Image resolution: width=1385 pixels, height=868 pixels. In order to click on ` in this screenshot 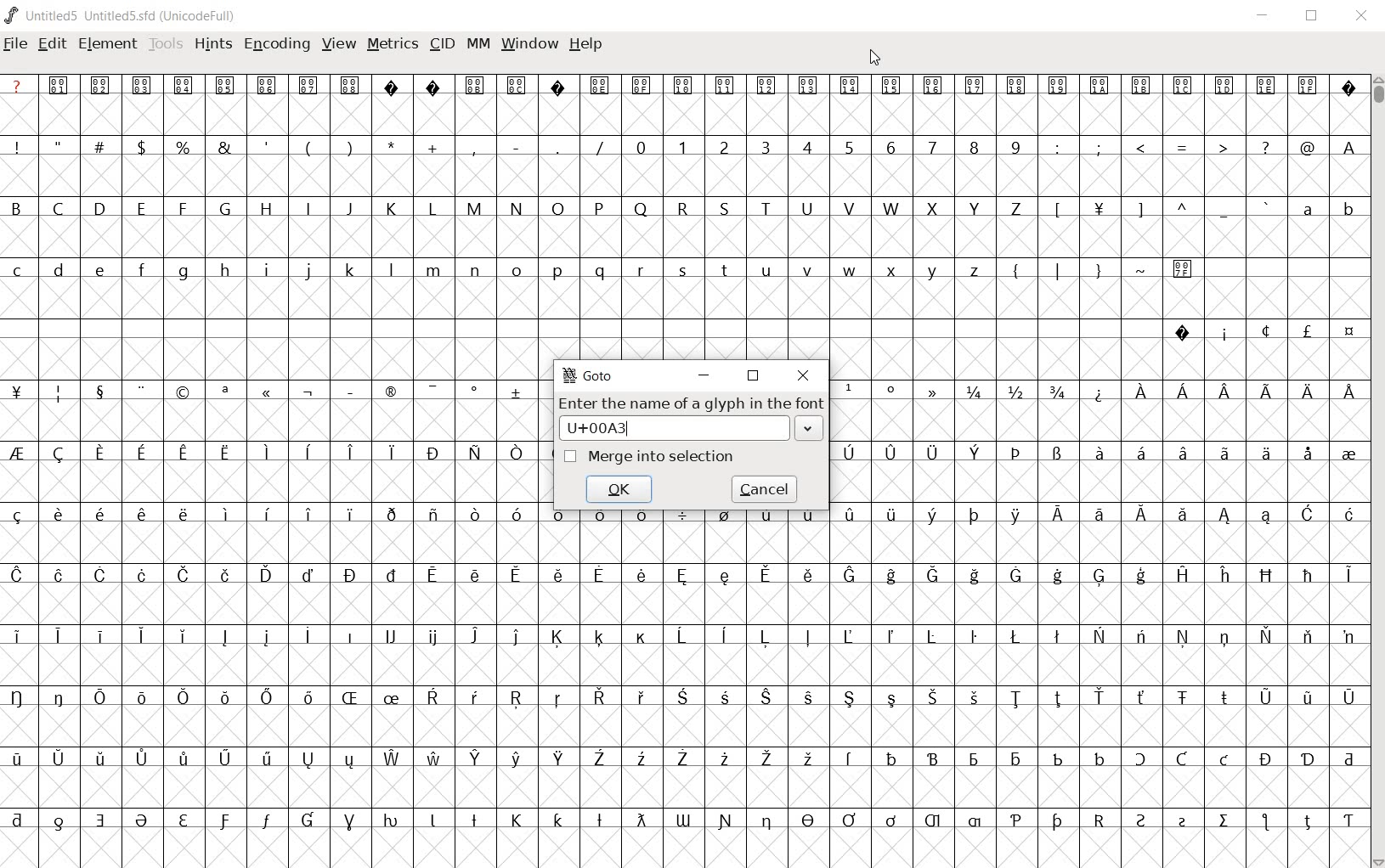, I will do `click(1264, 208)`.